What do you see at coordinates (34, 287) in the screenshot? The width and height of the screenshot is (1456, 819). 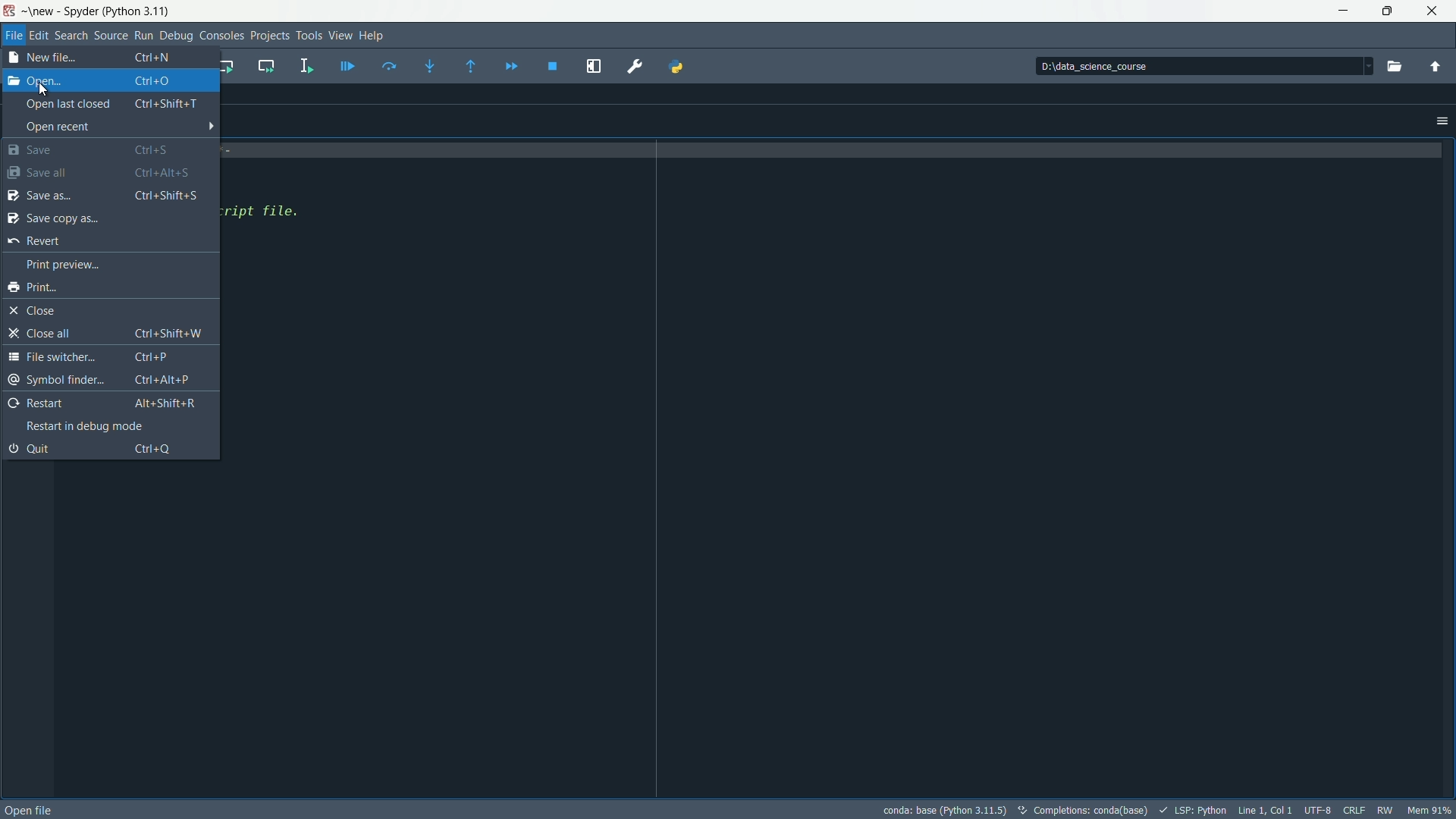 I see `print` at bounding box center [34, 287].